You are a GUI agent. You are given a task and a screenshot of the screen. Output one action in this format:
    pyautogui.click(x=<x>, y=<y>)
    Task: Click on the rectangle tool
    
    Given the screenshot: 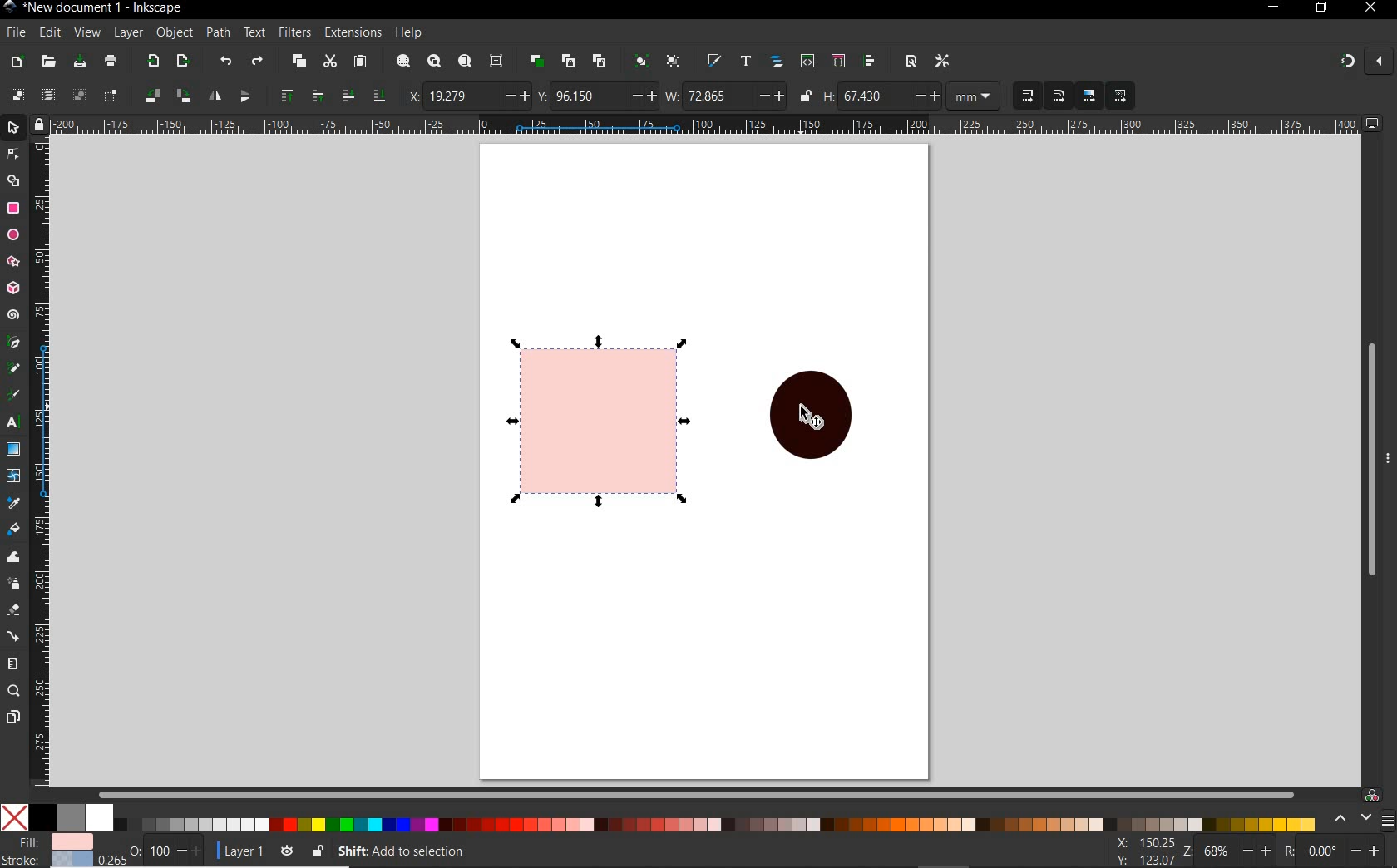 What is the action you would take?
    pyautogui.click(x=12, y=209)
    